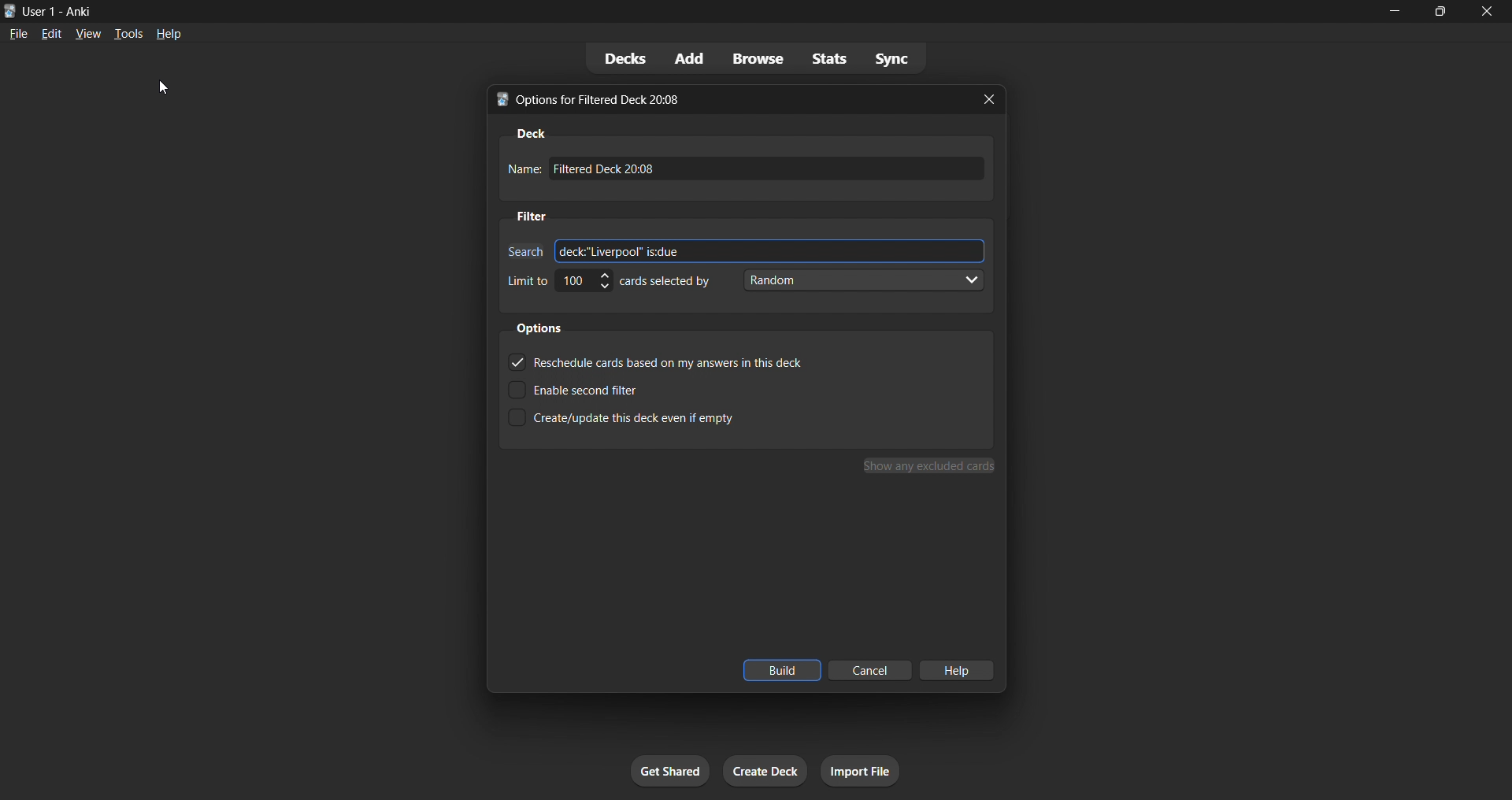  What do you see at coordinates (539, 328) in the screenshot?
I see `Options` at bounding box center [539, 328].